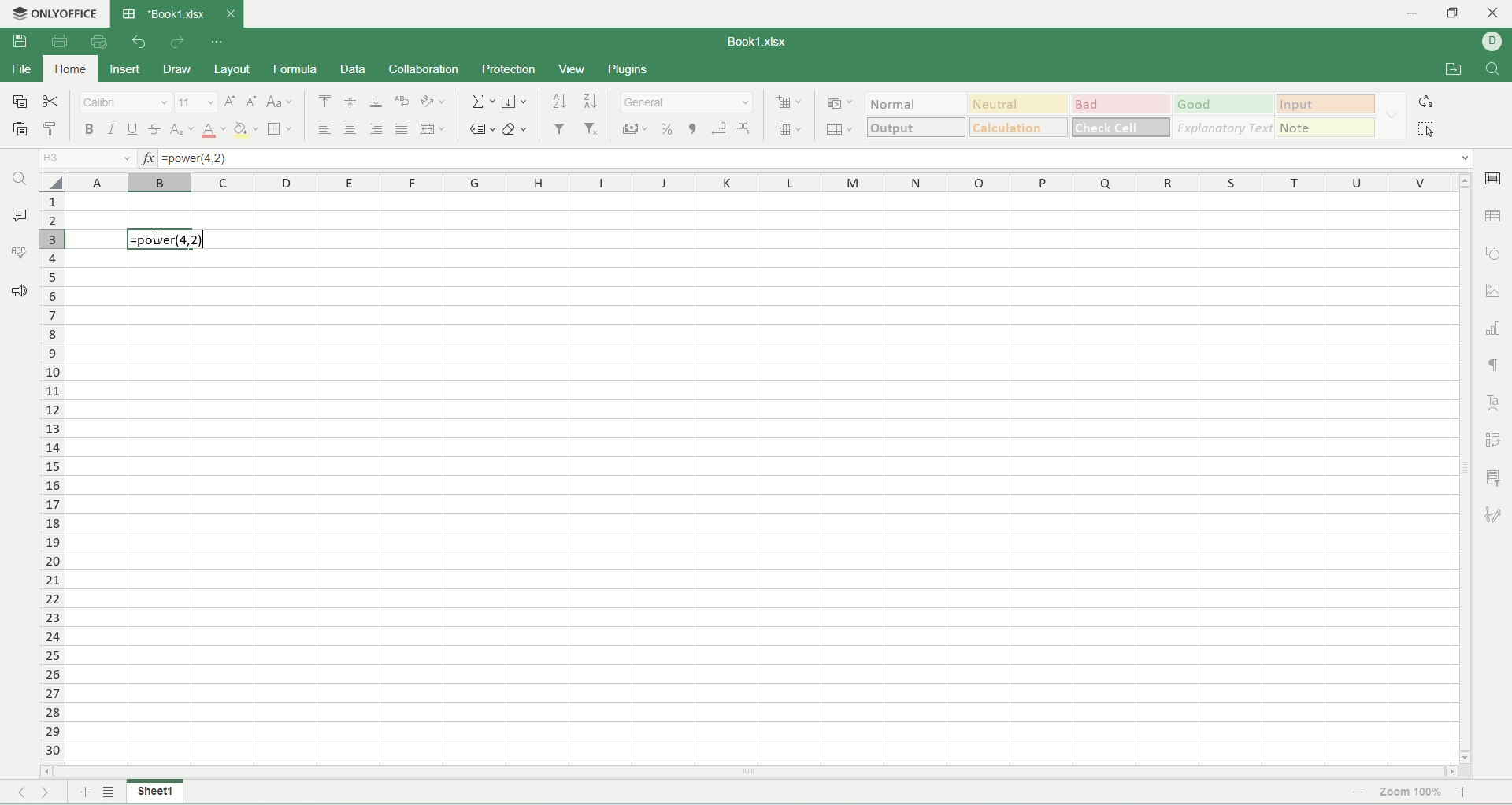  I want to click on justified, so click(402, 129).